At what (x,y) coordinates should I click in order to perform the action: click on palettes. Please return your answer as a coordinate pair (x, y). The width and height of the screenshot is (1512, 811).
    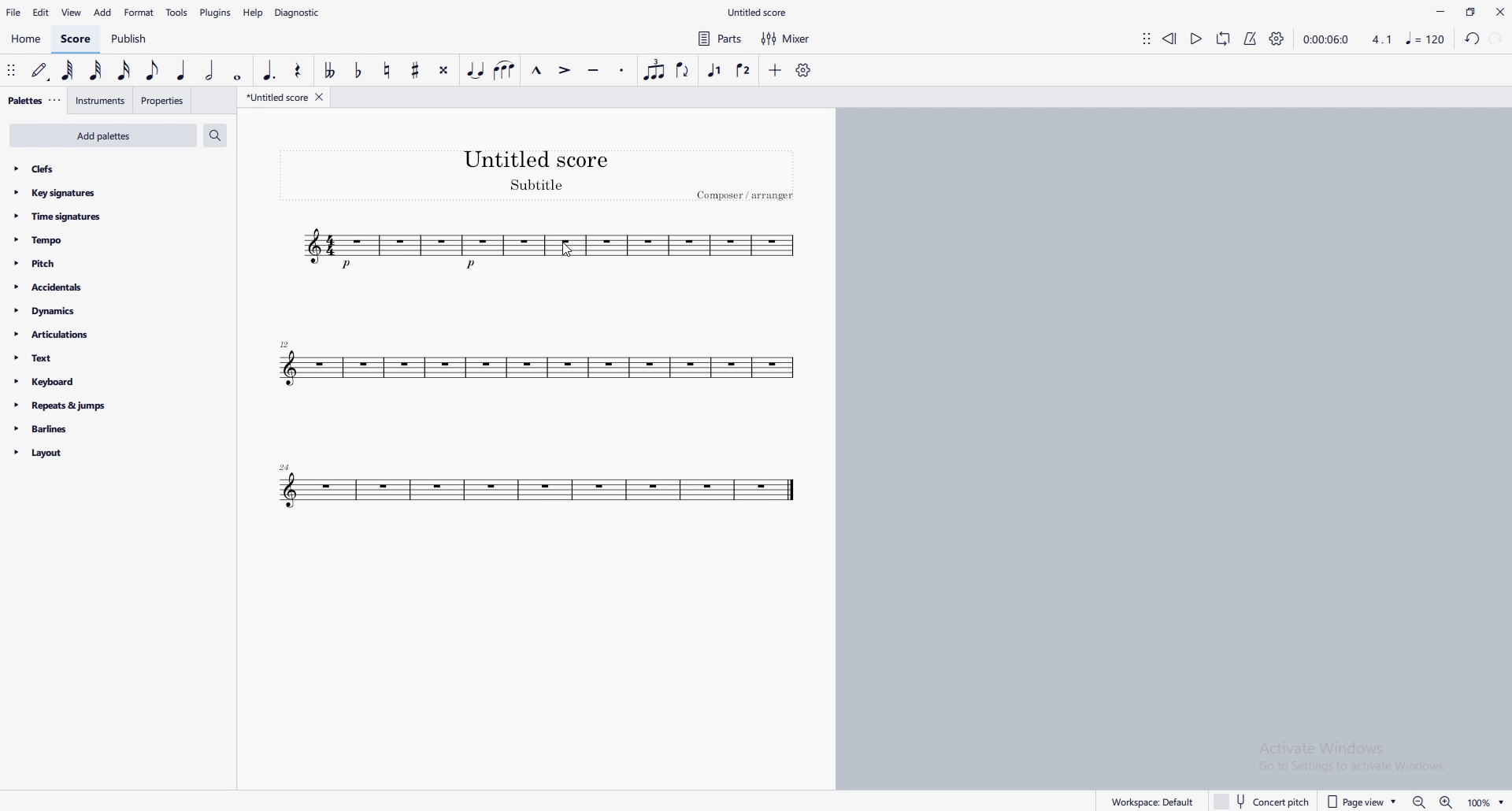
    Looking at the image, I should click on (25, 101).